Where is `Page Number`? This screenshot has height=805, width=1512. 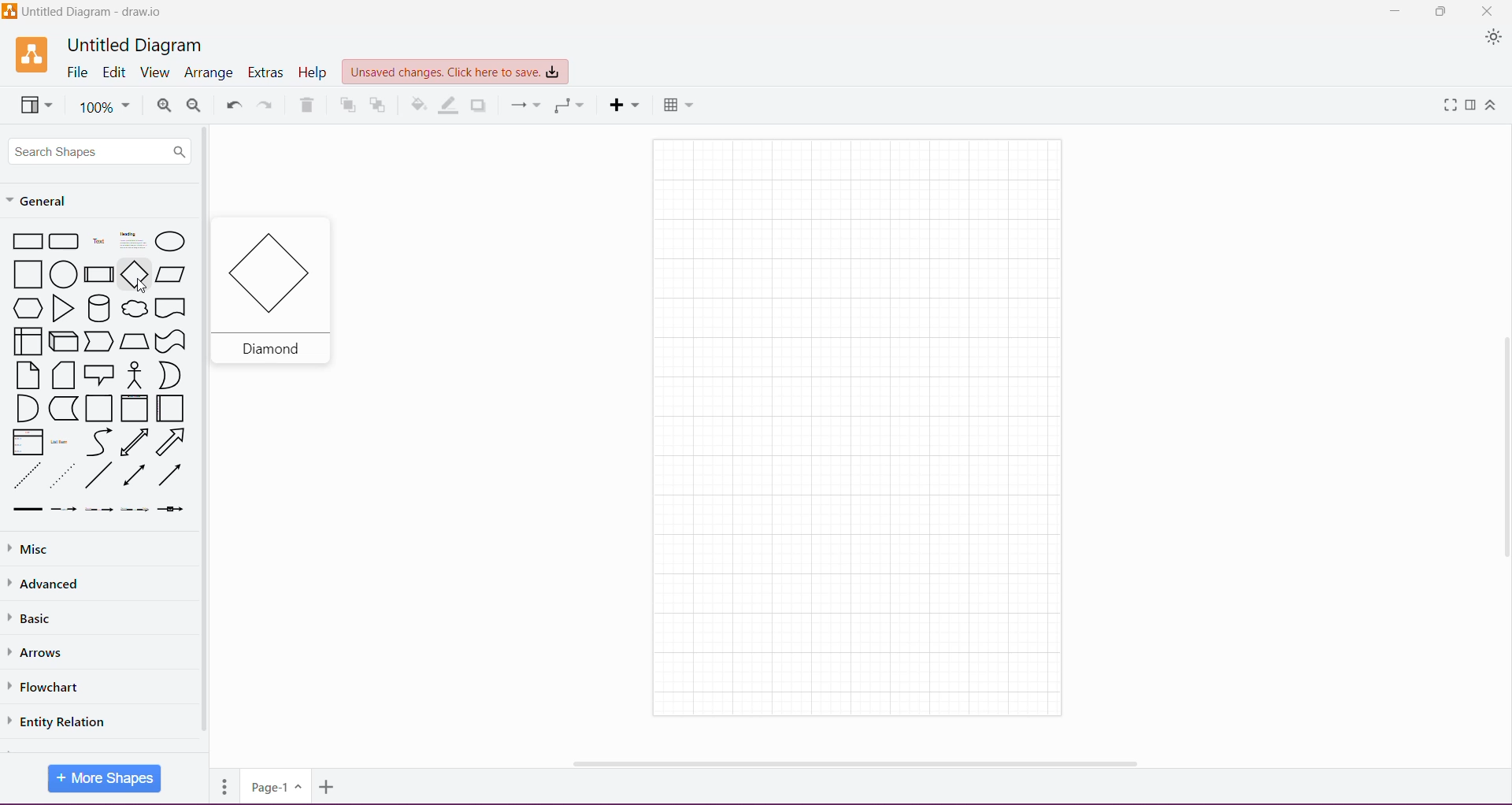 Page Number is located at coordinates (274, 788).